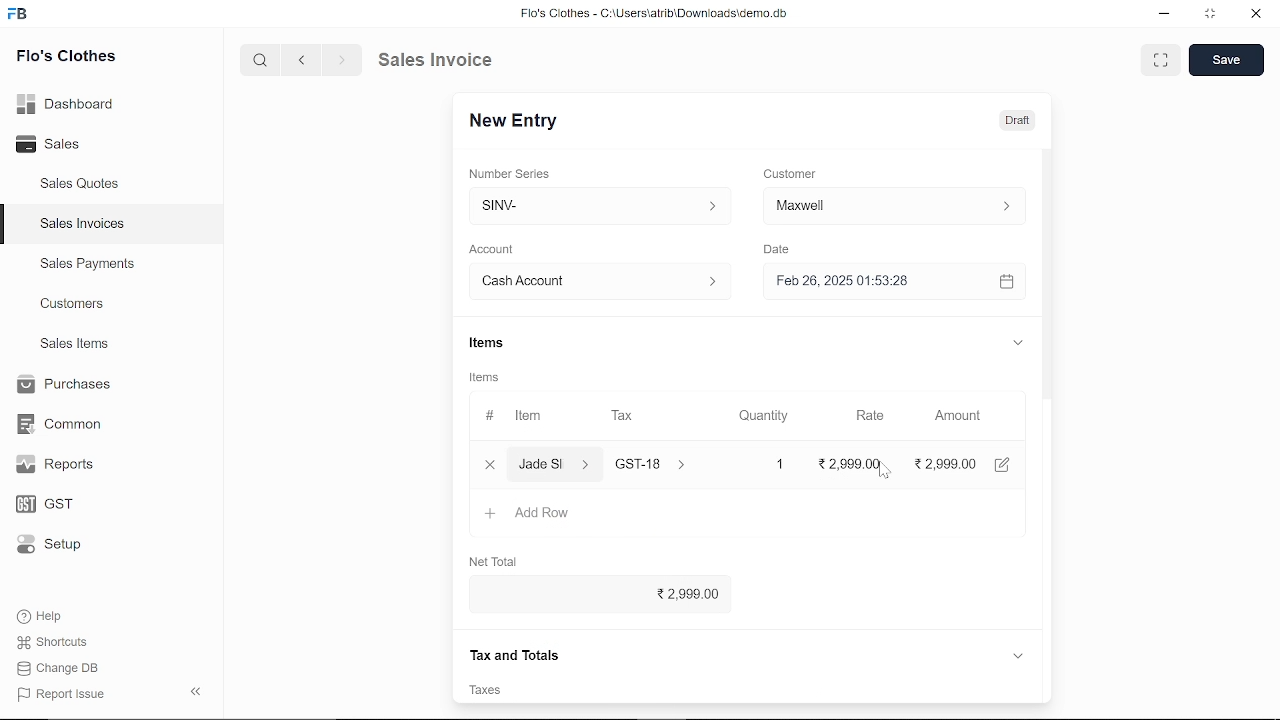 The height and width of the screenshot is (720, 1280). Describe the element at coordinates (53, 616) in the screenshot. I see `Help` at that location.